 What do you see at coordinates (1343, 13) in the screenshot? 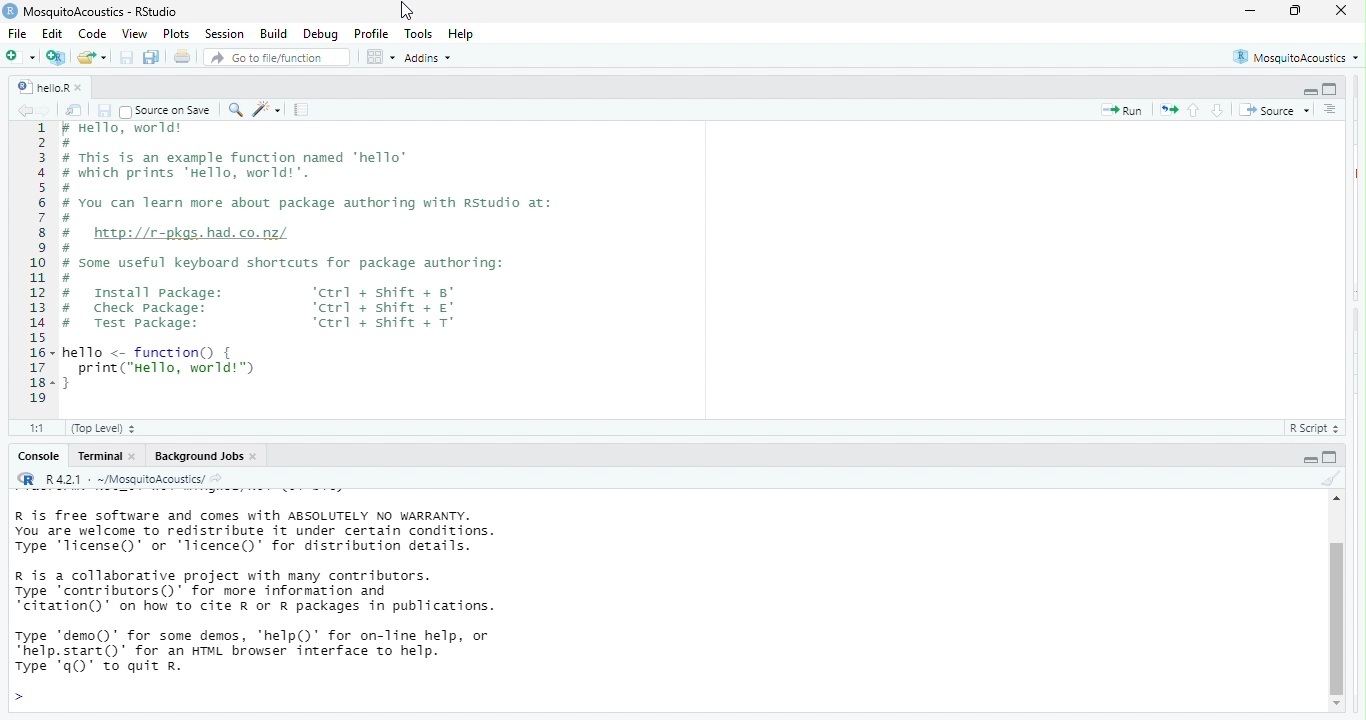
I see `close` at bounding box center [1343, 13].